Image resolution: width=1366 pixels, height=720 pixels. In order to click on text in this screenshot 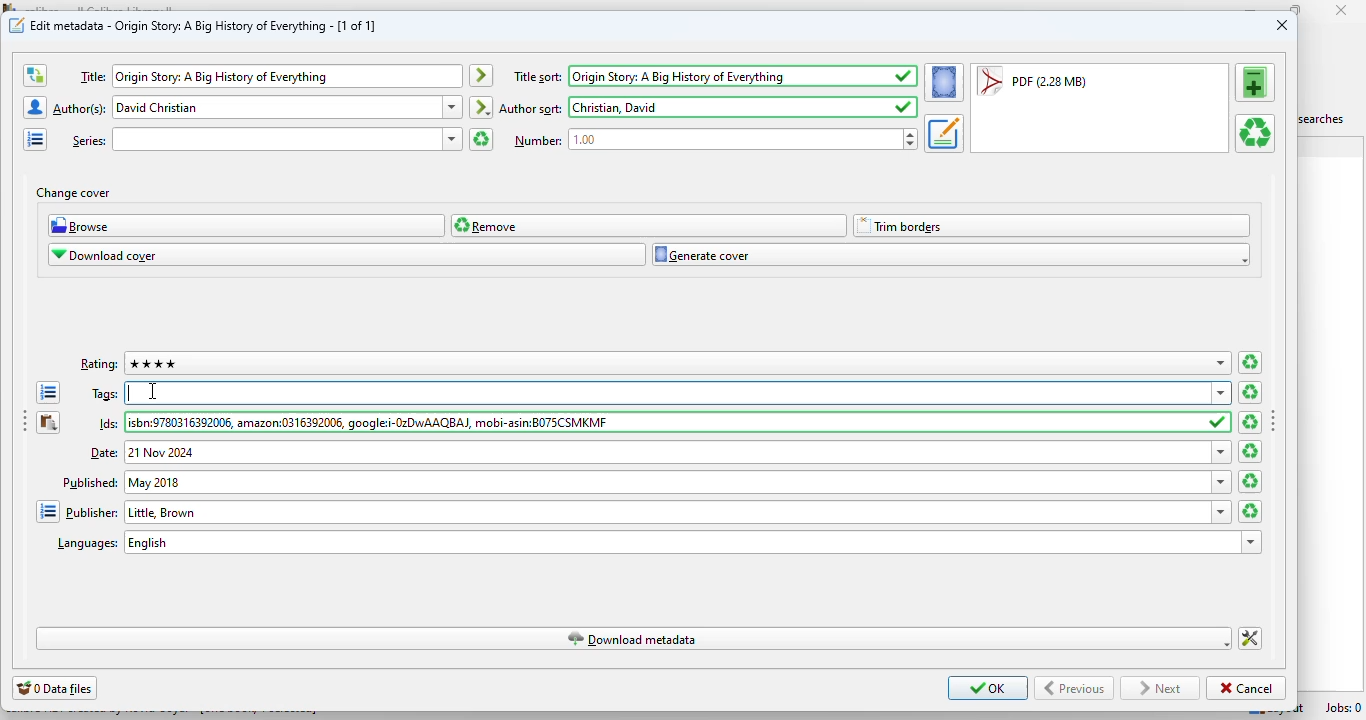, I will do `click(89, 481)`.